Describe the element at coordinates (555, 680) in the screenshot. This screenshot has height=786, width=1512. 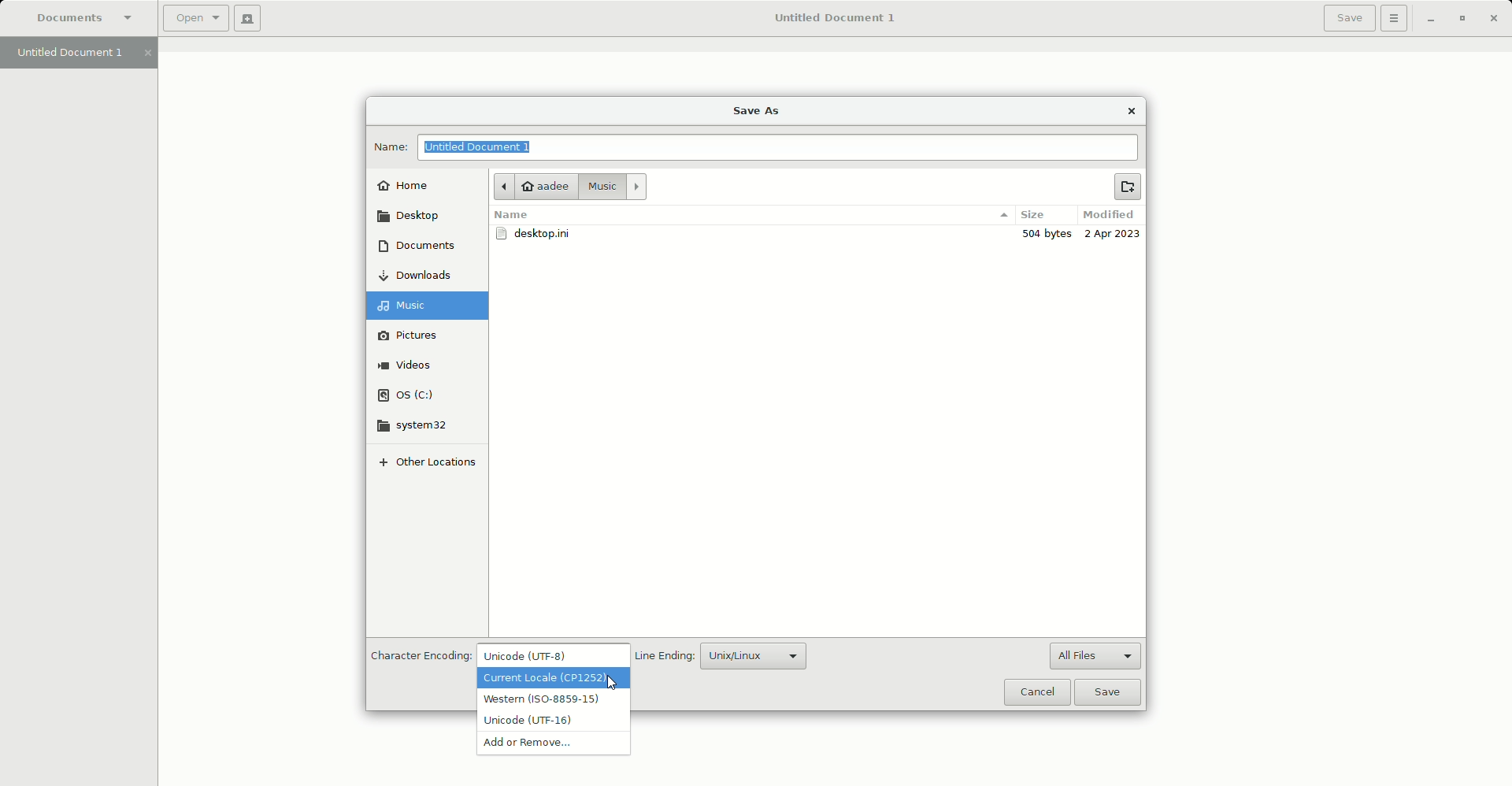
I see `Current Locale` at that location.